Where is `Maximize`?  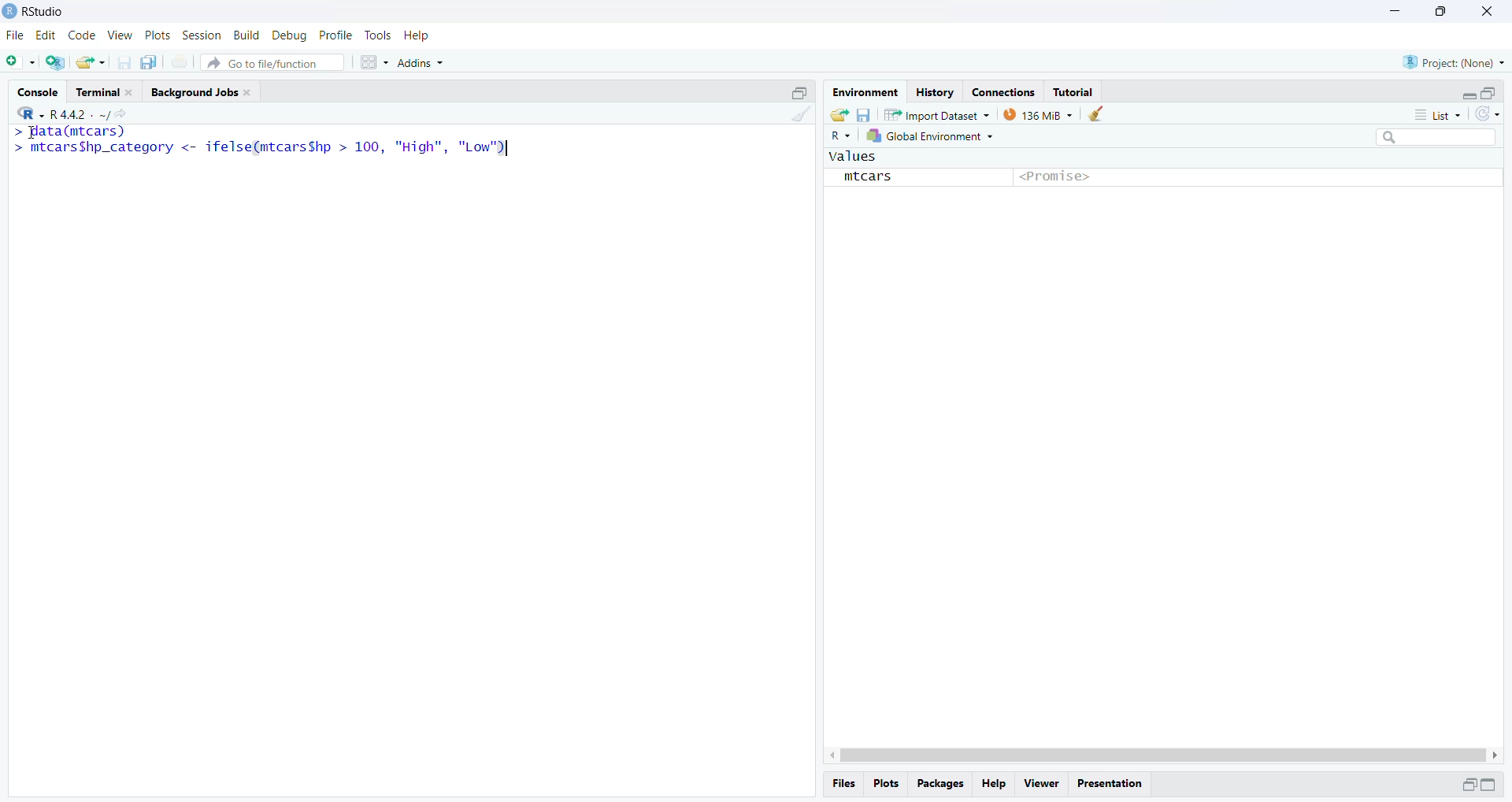 Maximize is located at coordinates (1493, 785).